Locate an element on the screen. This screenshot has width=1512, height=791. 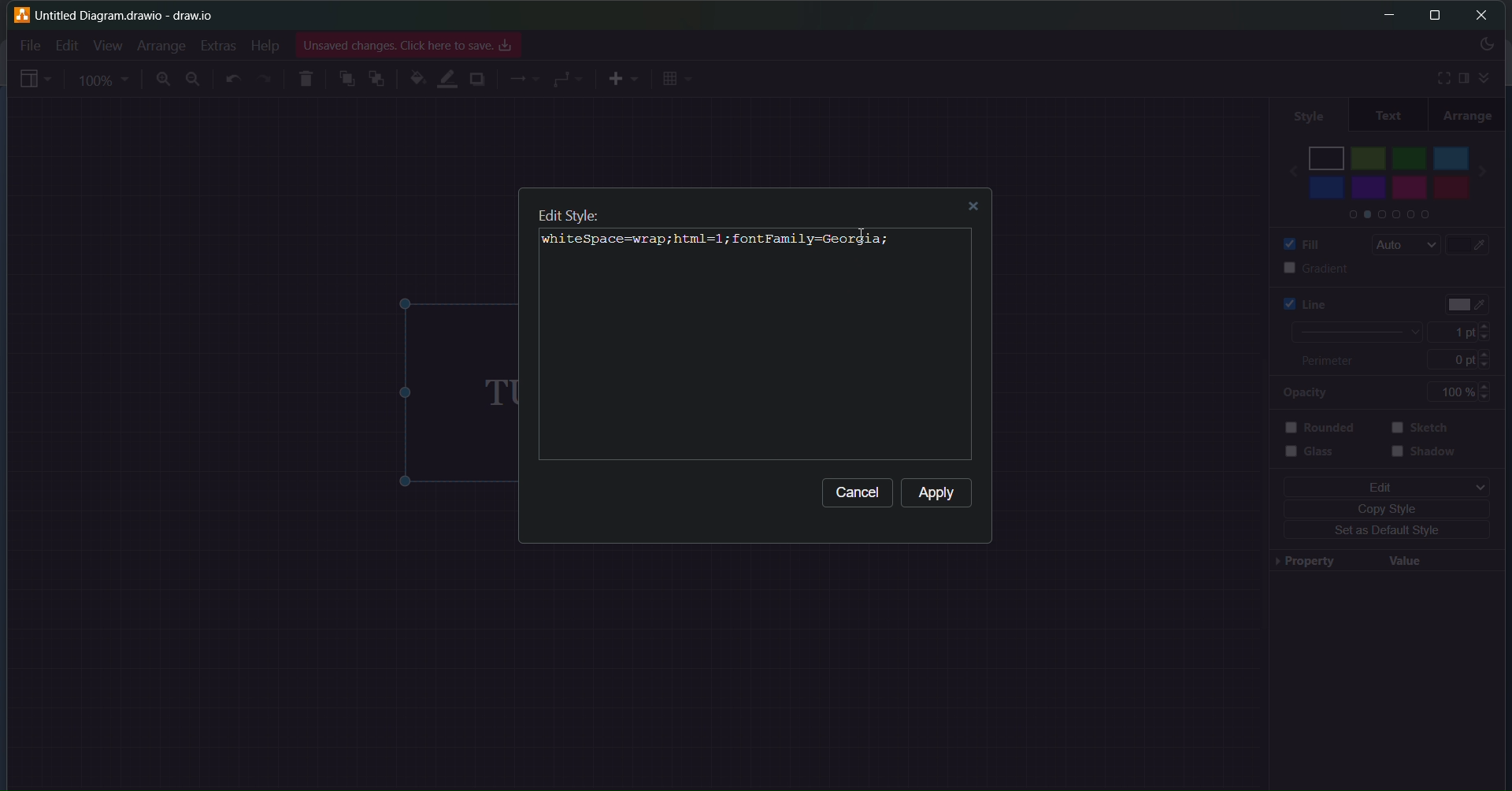
close dialog is located at coordinates (977, 209).